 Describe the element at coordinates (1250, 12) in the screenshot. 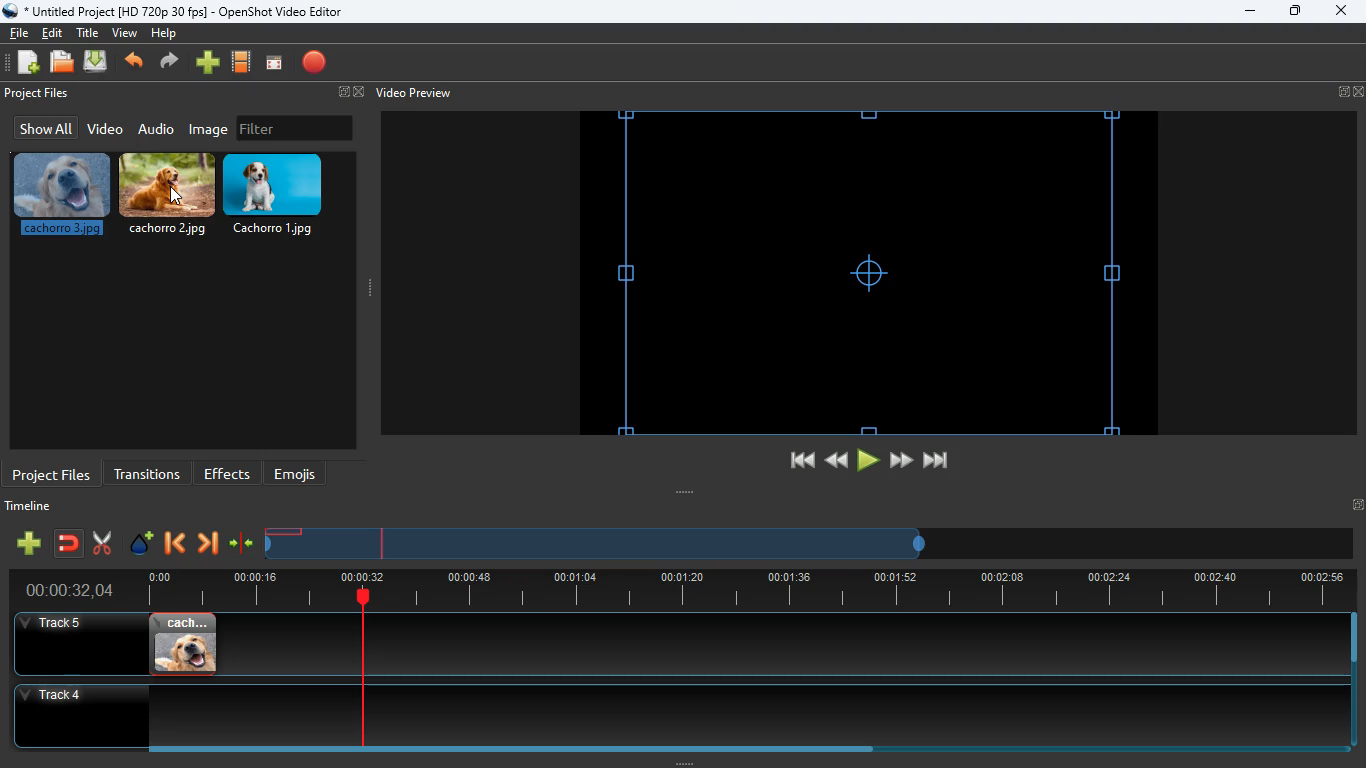

I see `minimize` at that location.